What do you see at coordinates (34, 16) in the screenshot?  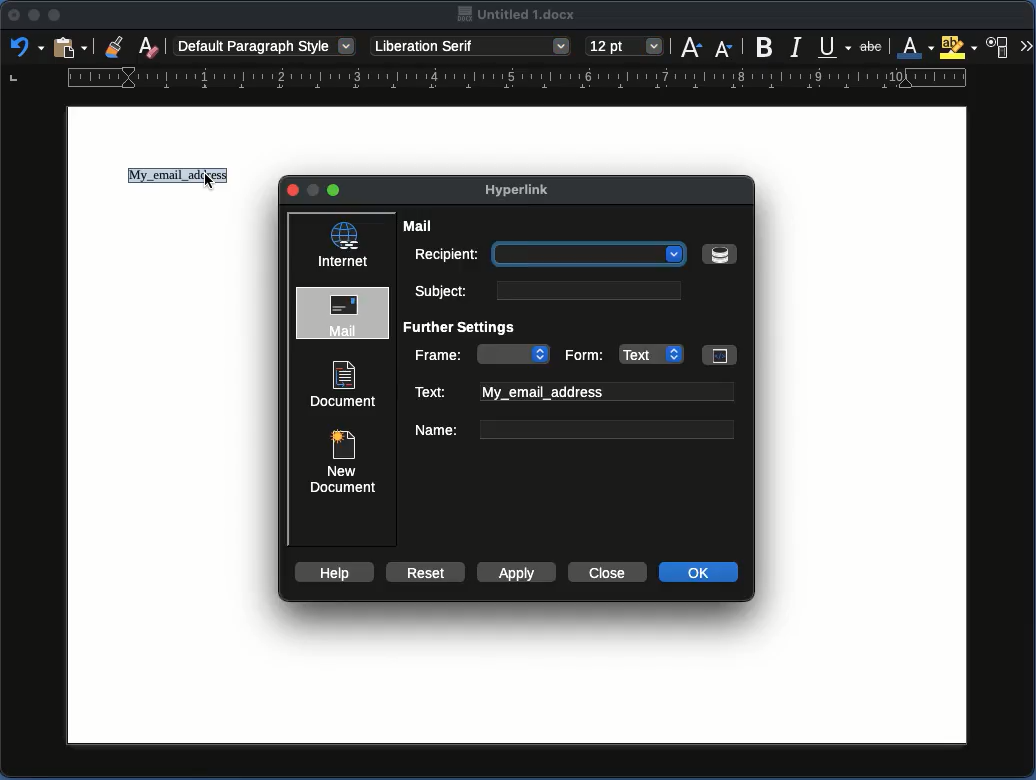 I see `Minimize` at bounding box center [34, 16].